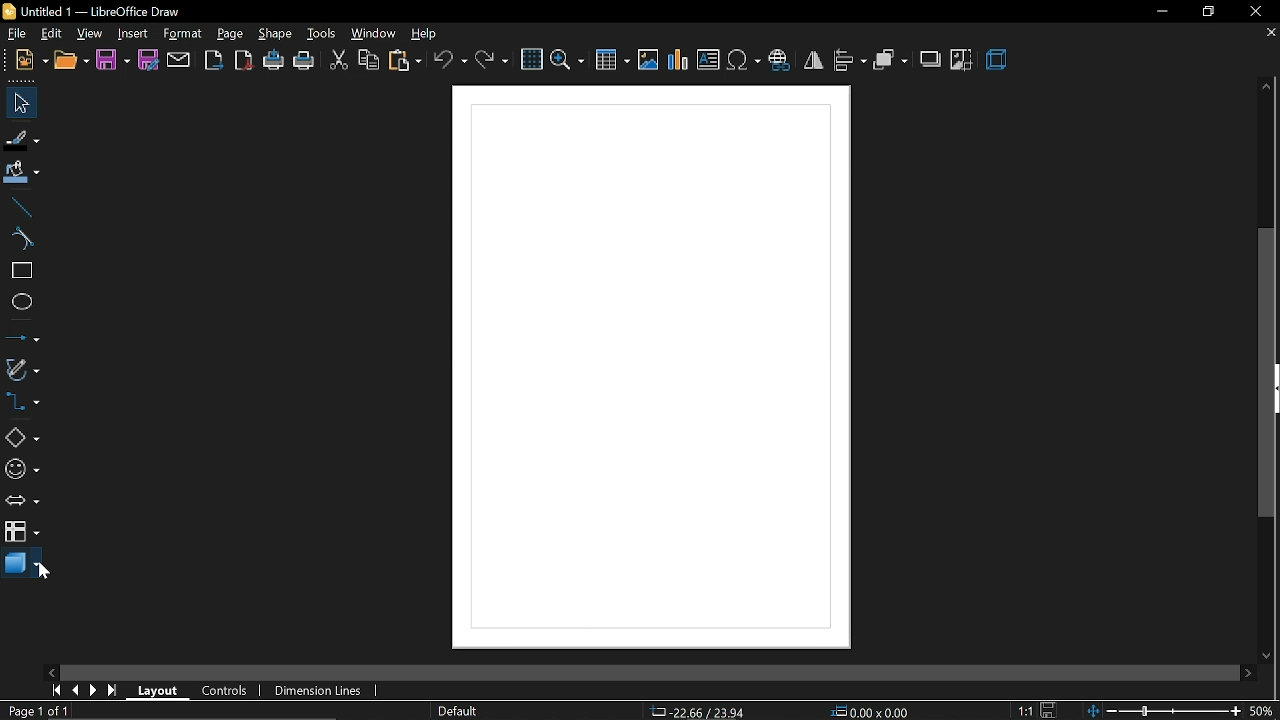 This screenshot has height=720, width=1280. What do you see at coordinates (70, 60) in the screenshot?
I see `open` at bounding box center [70, 60].